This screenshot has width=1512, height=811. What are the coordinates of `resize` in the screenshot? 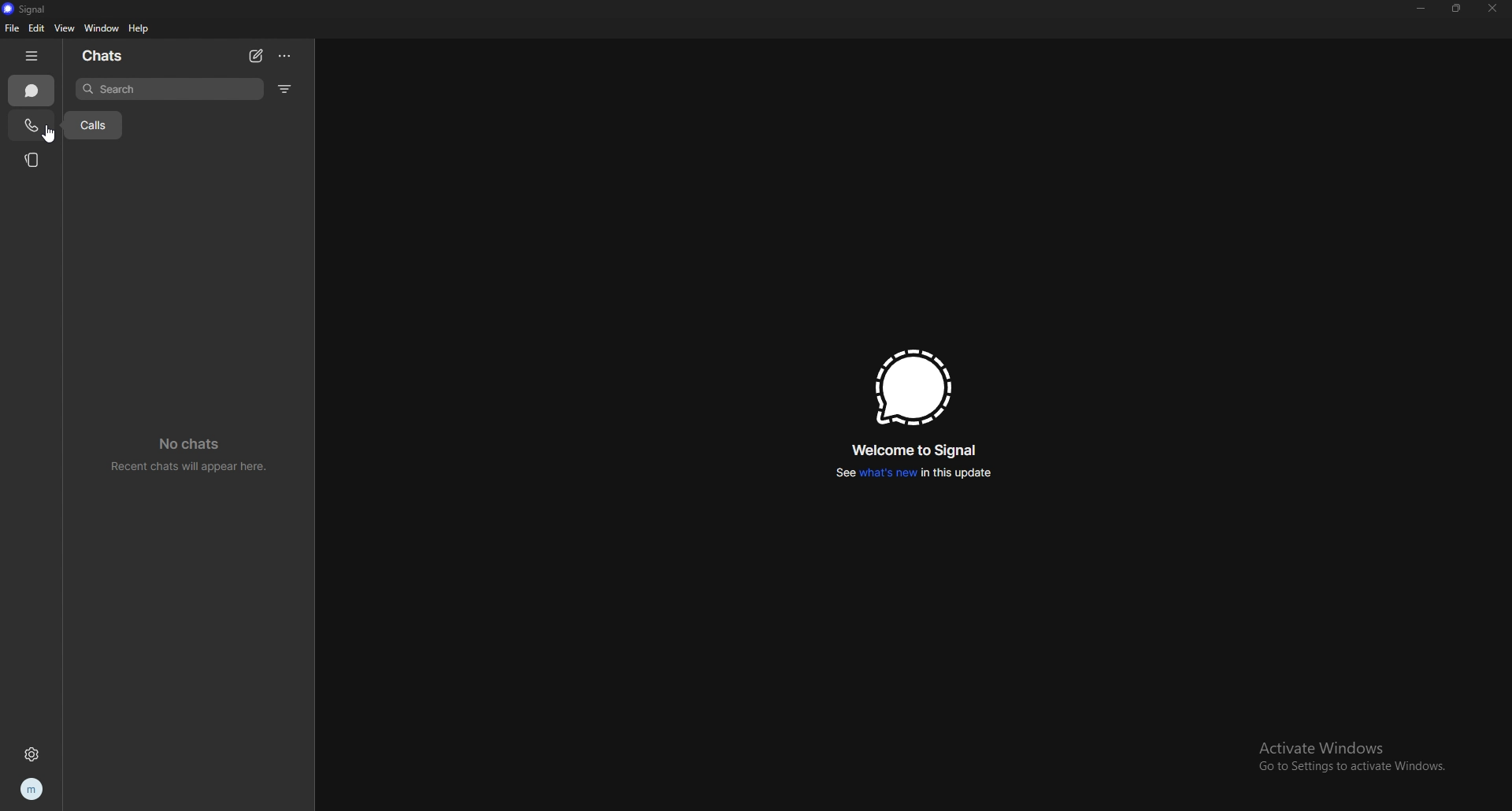 It's located at (1458, 8).